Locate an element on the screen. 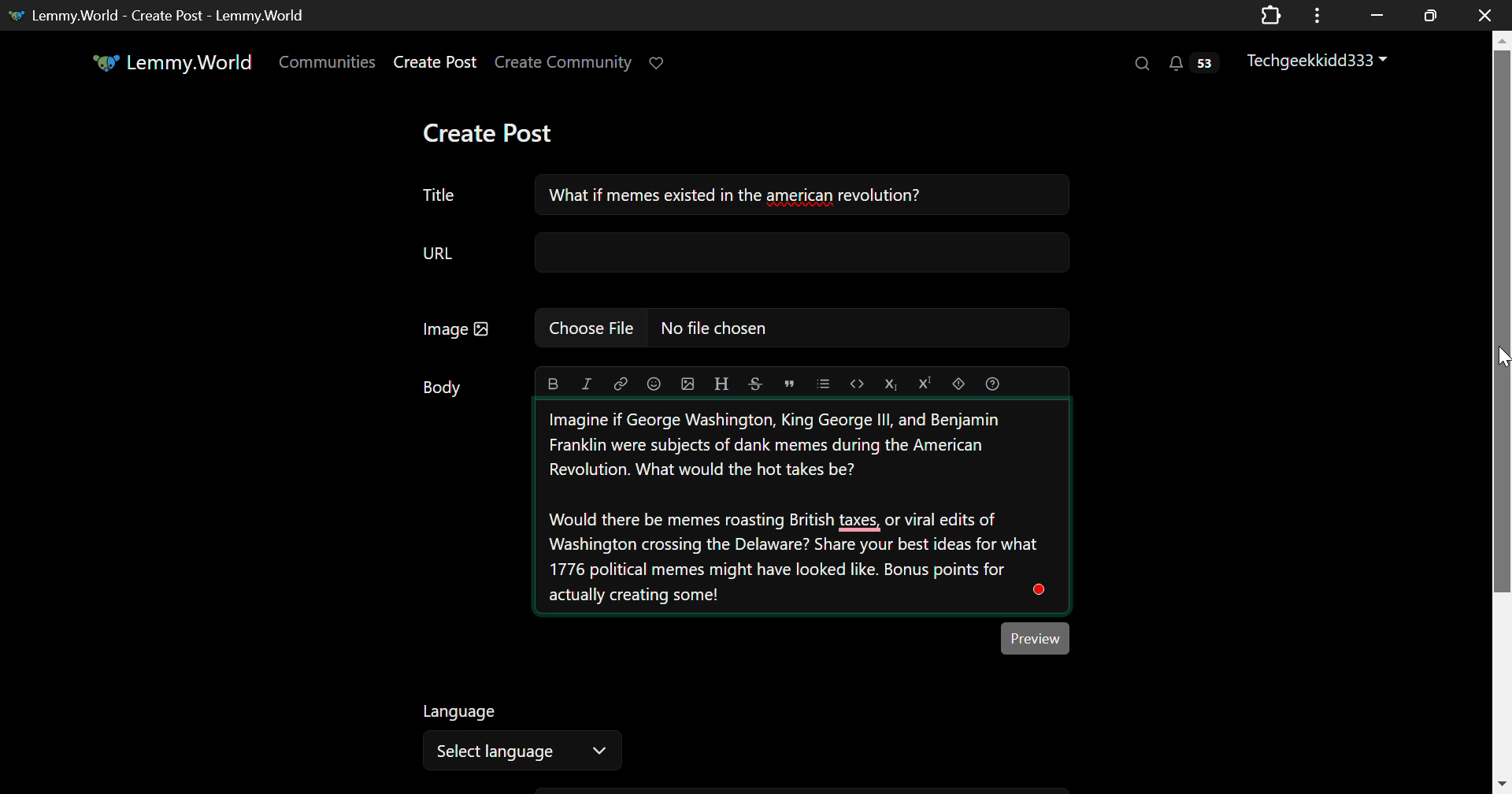 The height and width of the screenshot is (794, 1512). Post Title Text Field is located at coordinates (441, 194).